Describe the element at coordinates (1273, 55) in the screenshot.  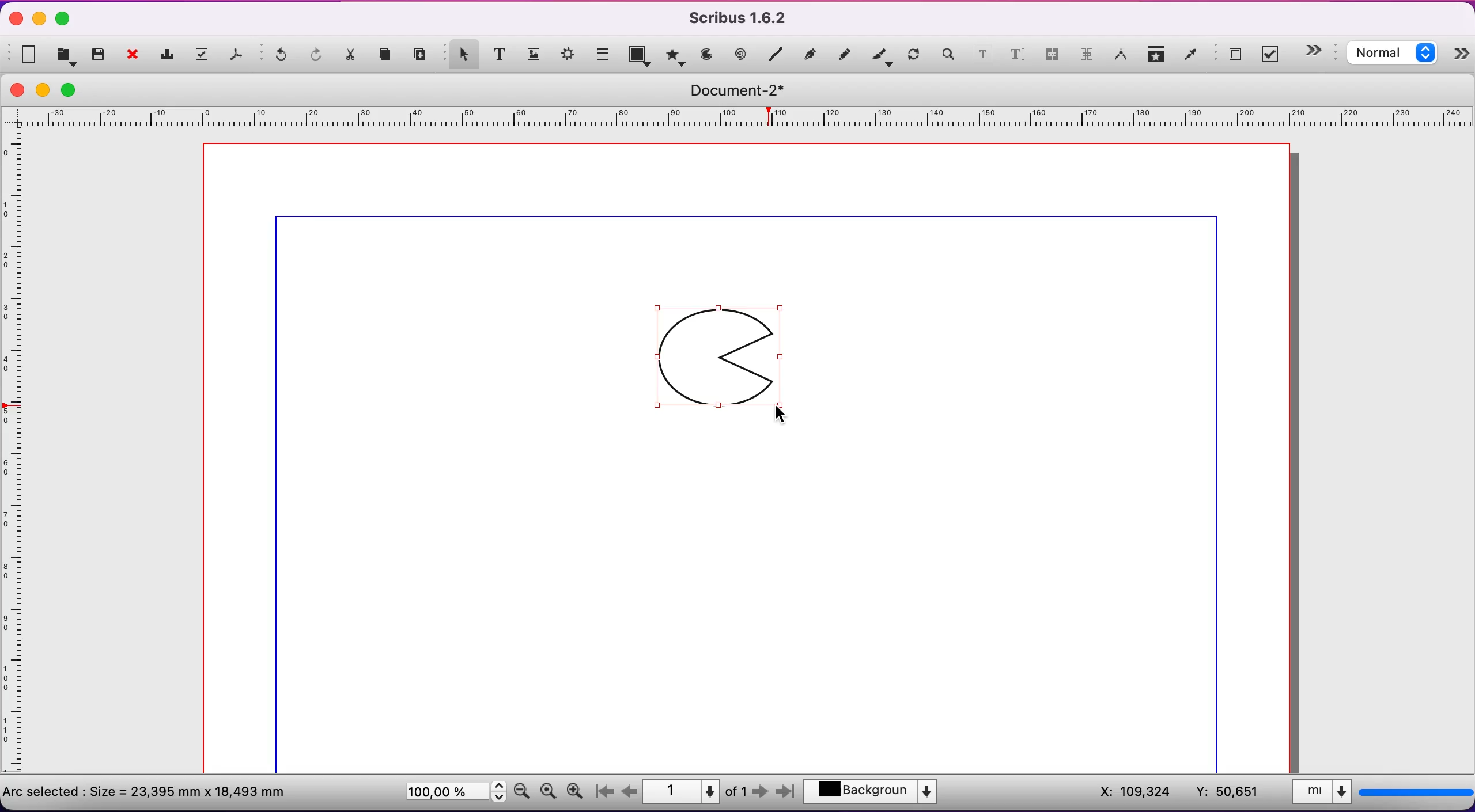
I see `inser pdf check box` at that location.